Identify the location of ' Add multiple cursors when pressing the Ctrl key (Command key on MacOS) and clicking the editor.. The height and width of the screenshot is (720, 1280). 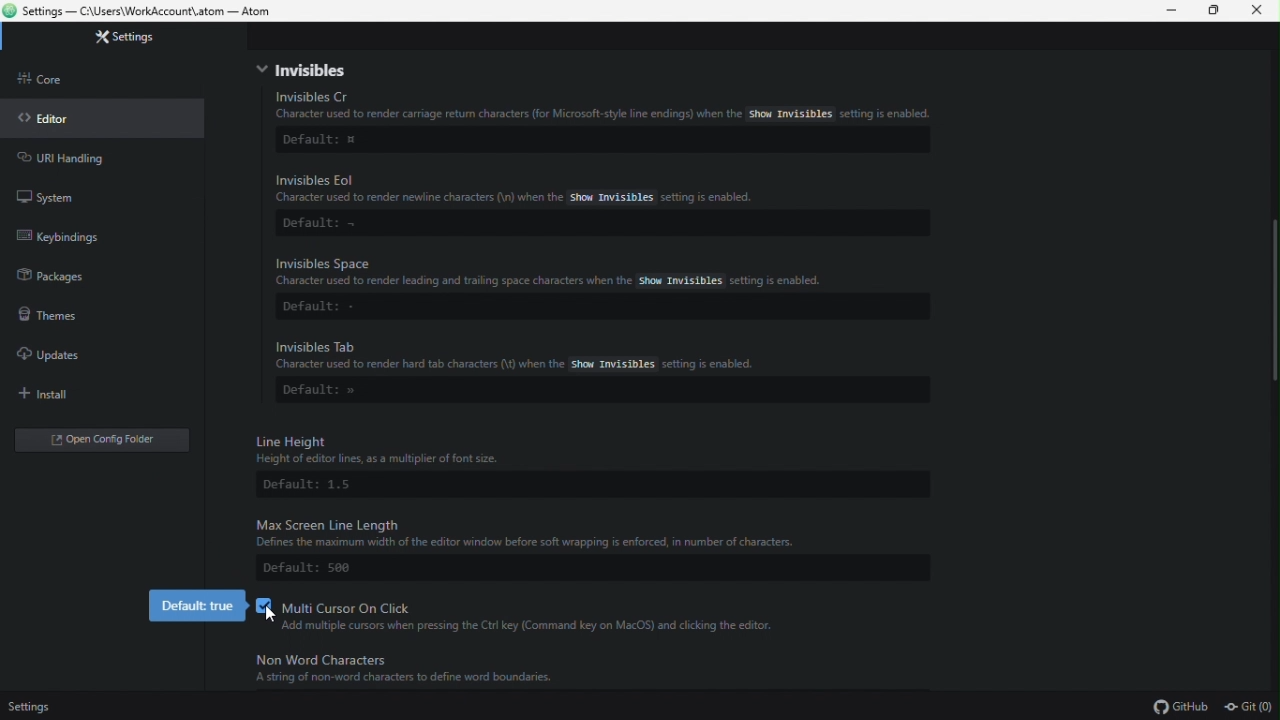
(543, 627).